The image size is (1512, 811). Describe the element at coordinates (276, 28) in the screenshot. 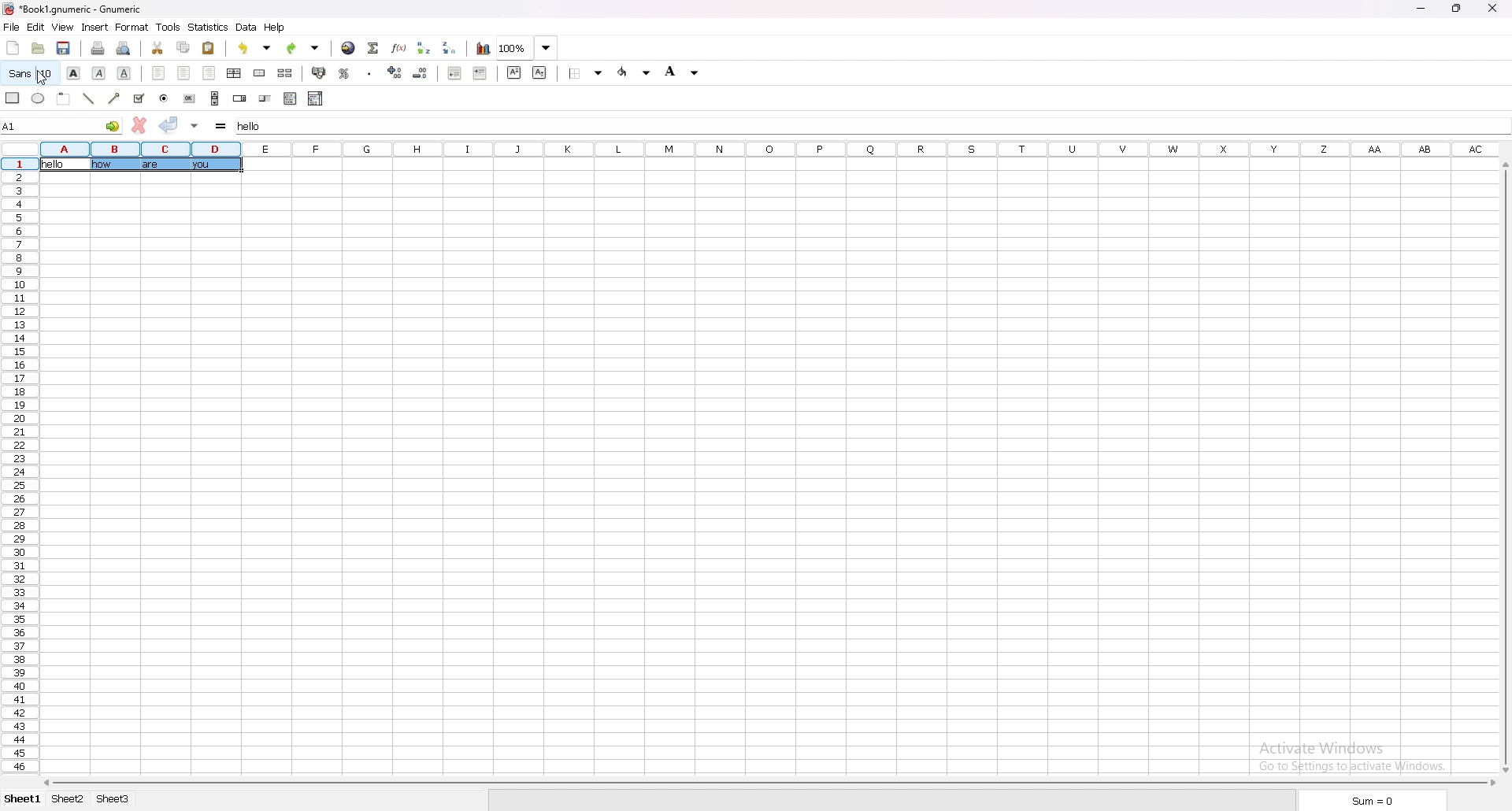

I see `help` at that location.